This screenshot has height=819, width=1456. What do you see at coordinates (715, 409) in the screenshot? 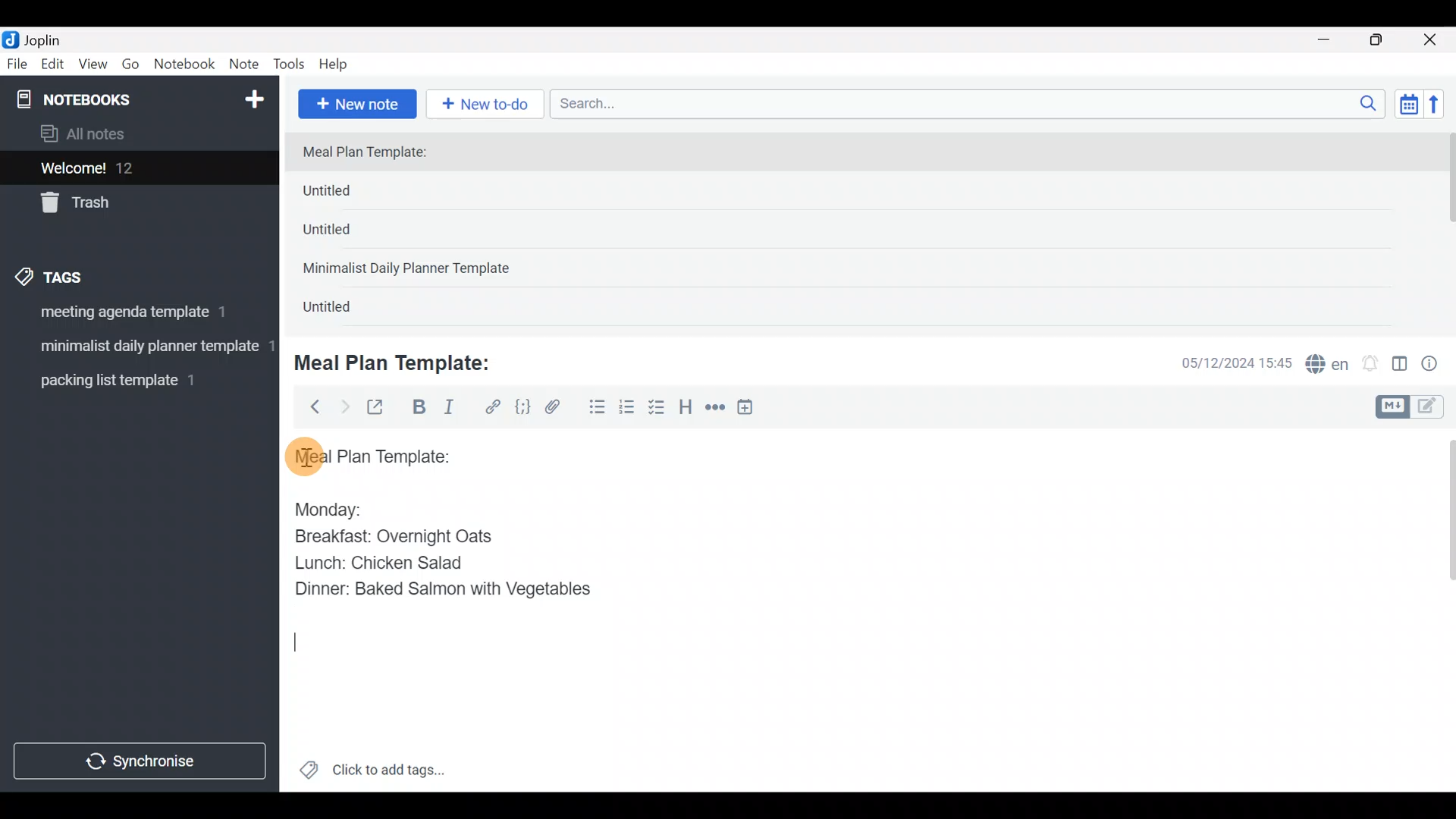
I see `Horizontal rule` at bounding box center [715, 409].